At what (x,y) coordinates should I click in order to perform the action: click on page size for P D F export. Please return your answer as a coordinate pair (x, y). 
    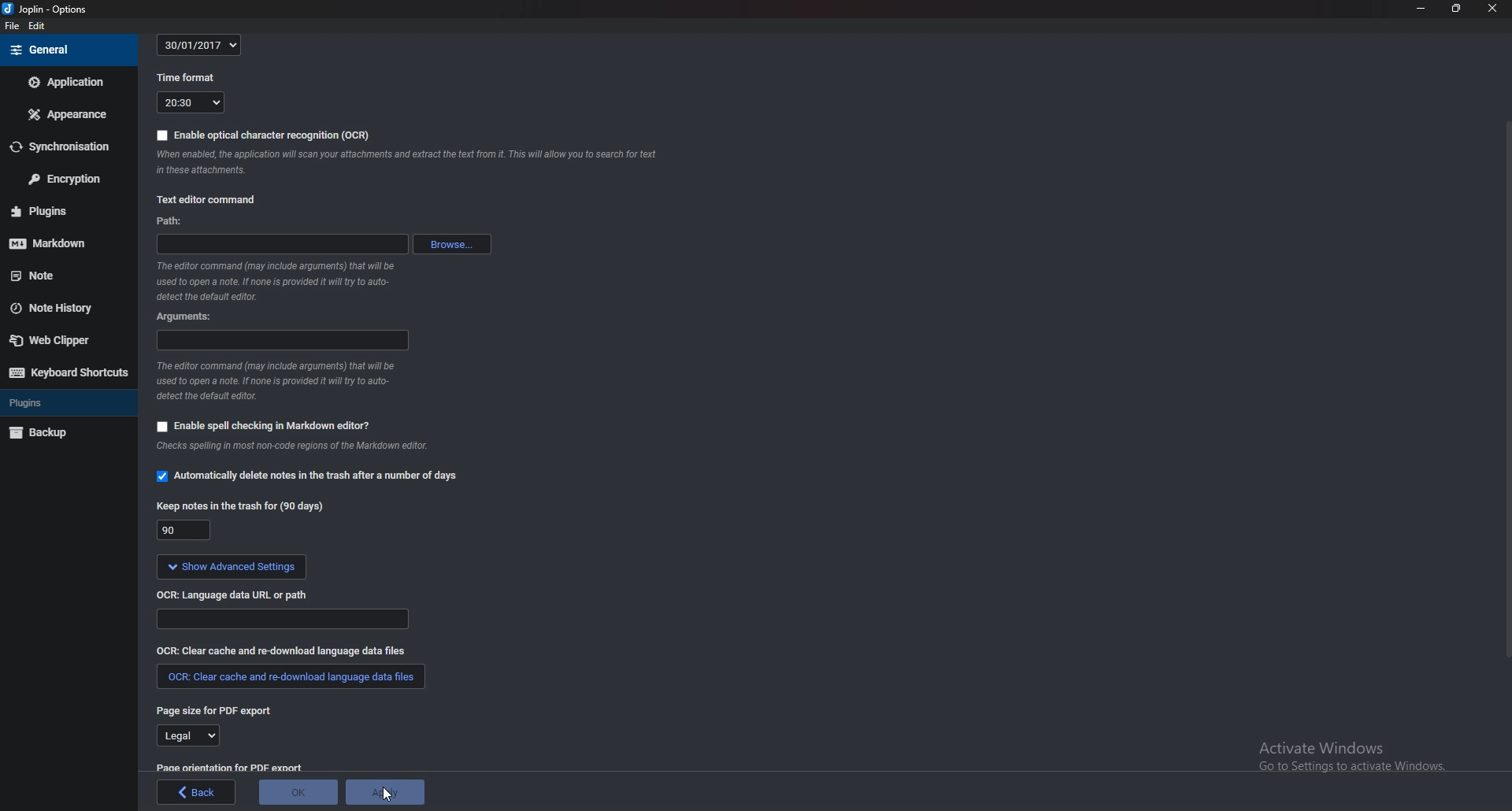
    Looking at the image, I should click on (215, 710).